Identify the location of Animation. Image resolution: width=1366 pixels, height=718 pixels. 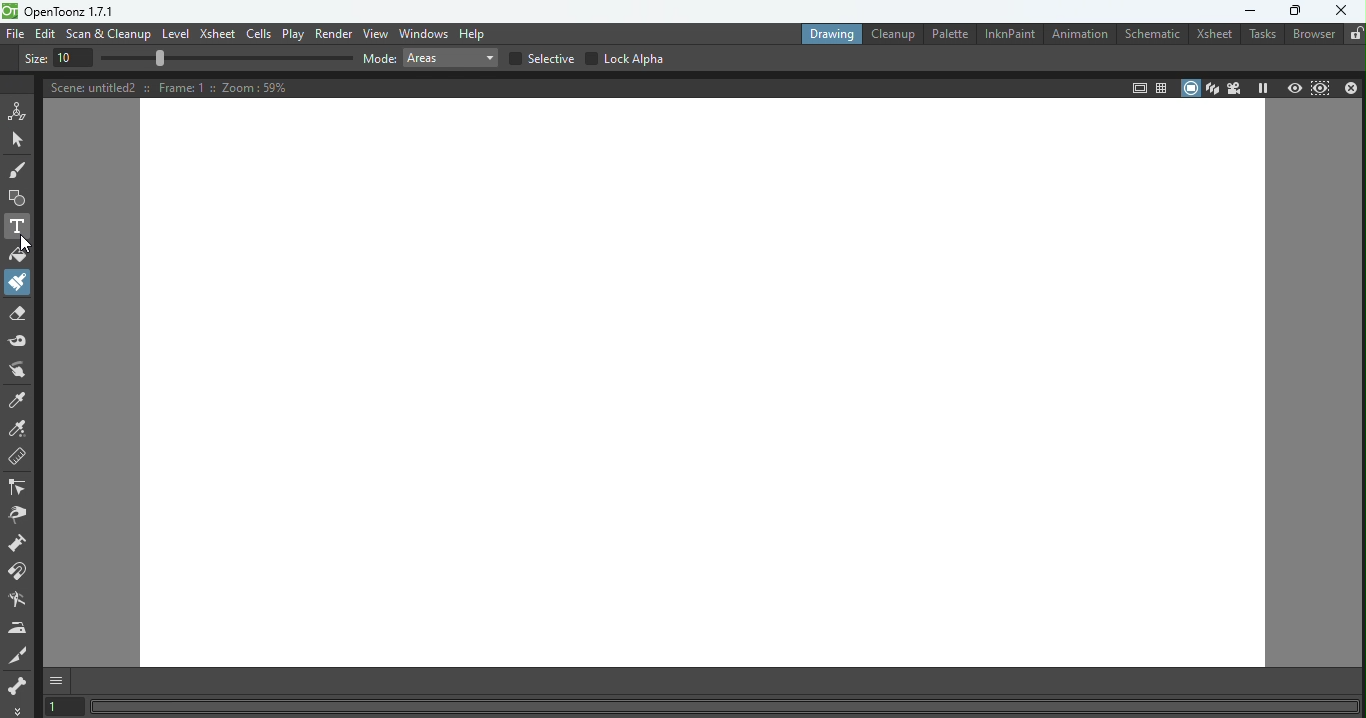
(1081, 34).